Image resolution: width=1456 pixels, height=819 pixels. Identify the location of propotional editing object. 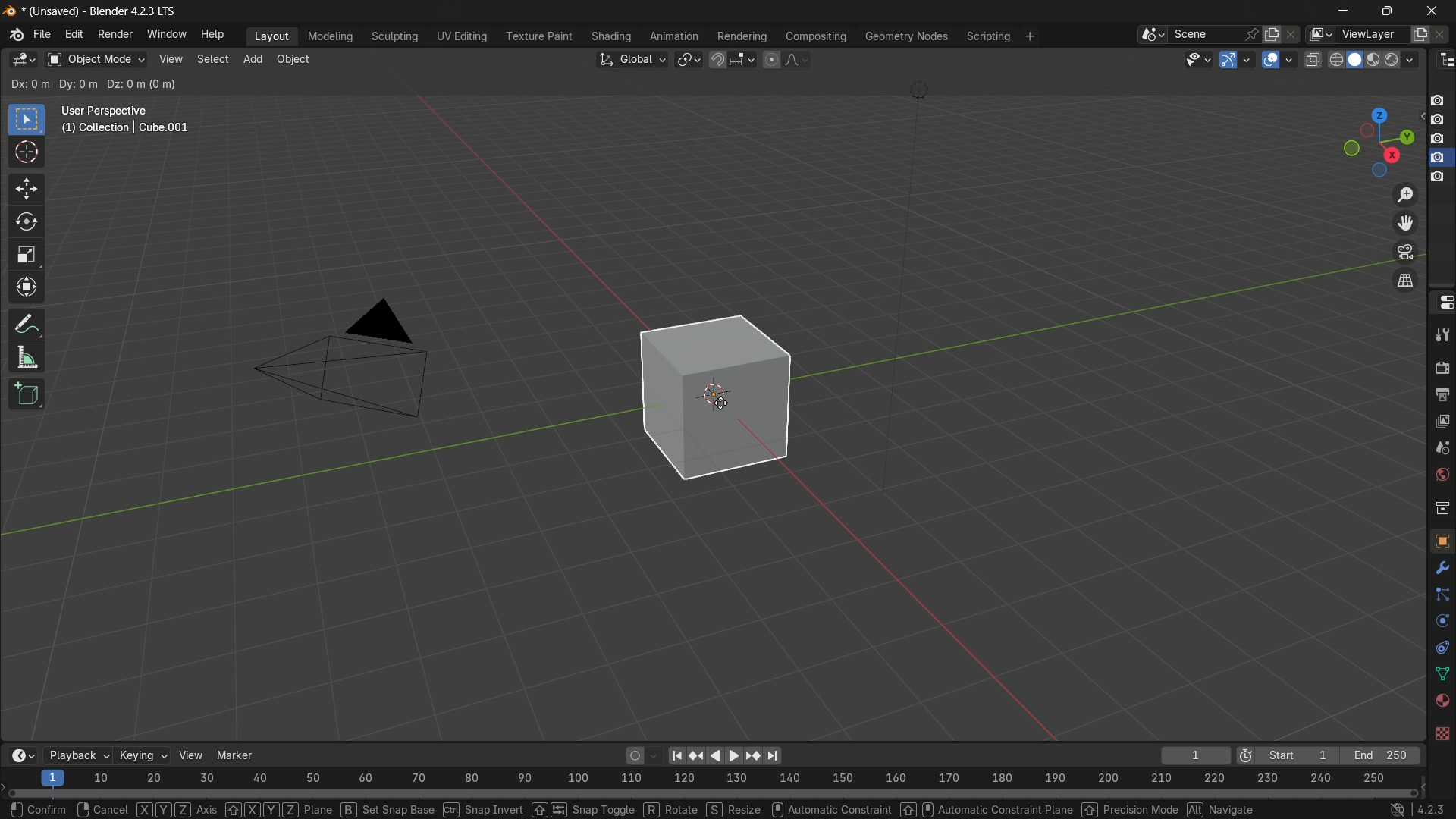
(772, 58).